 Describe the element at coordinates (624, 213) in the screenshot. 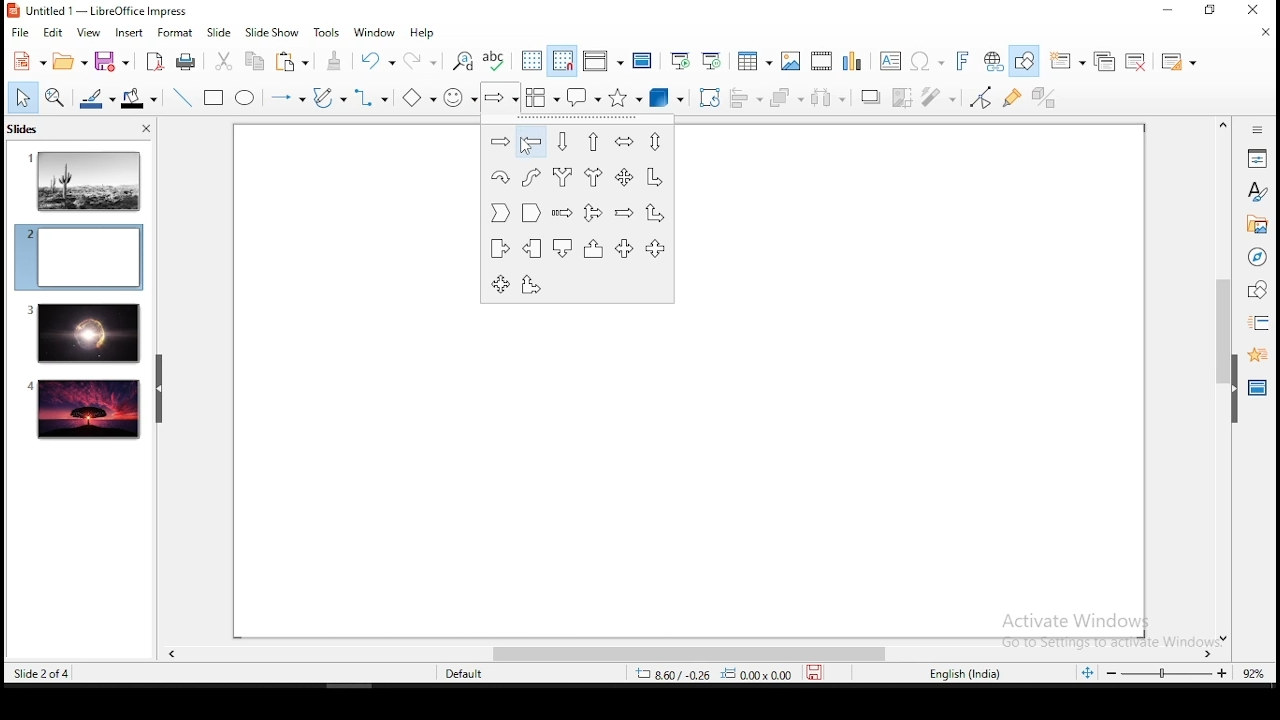

I see `notch right arrow` at that location.